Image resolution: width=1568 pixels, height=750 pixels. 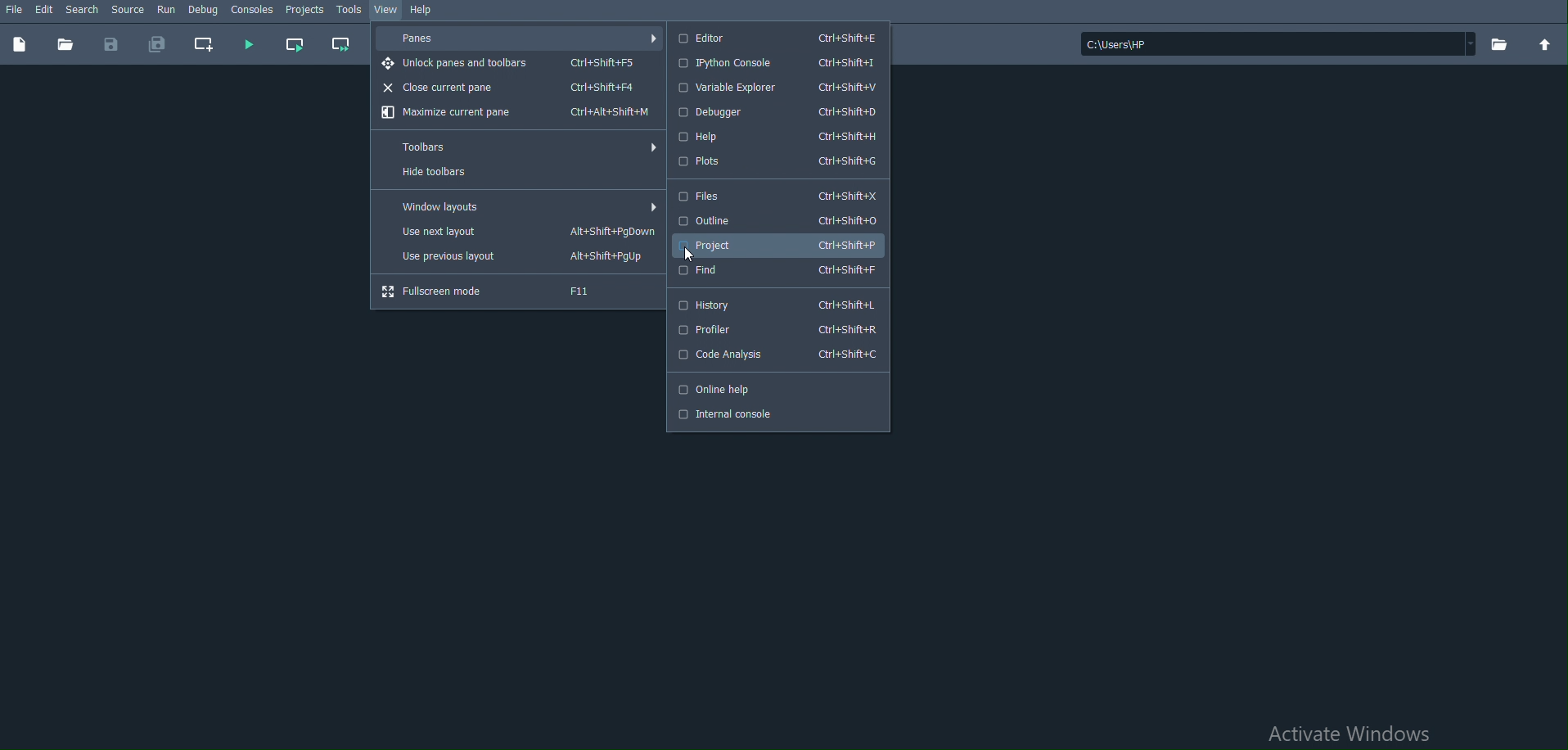 What do you see at coordinates (1277, 44) in the screenshot?
I see `File location` at bounding box center [1277, 44].